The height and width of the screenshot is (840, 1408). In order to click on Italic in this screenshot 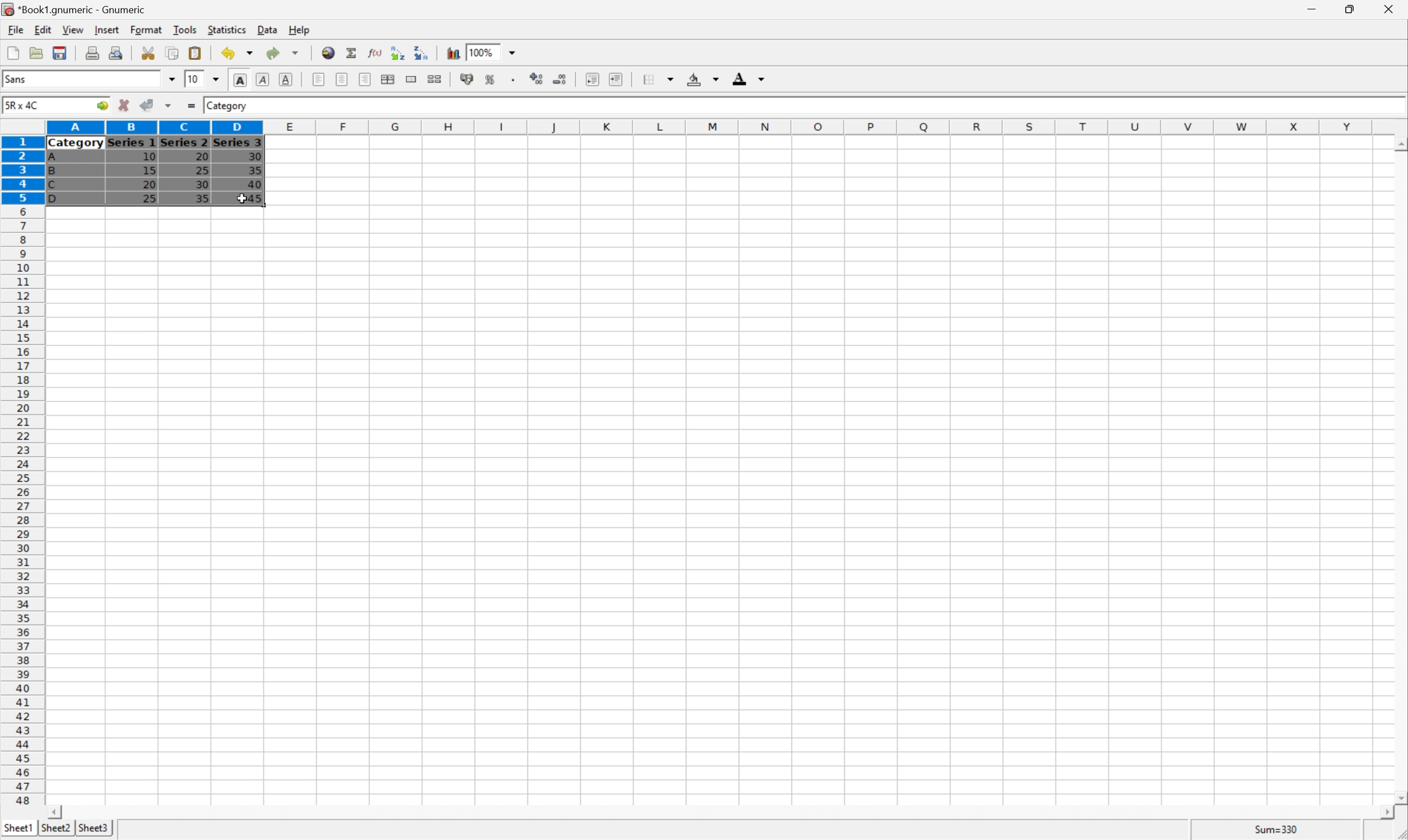, I will do `click(262, 79)`.